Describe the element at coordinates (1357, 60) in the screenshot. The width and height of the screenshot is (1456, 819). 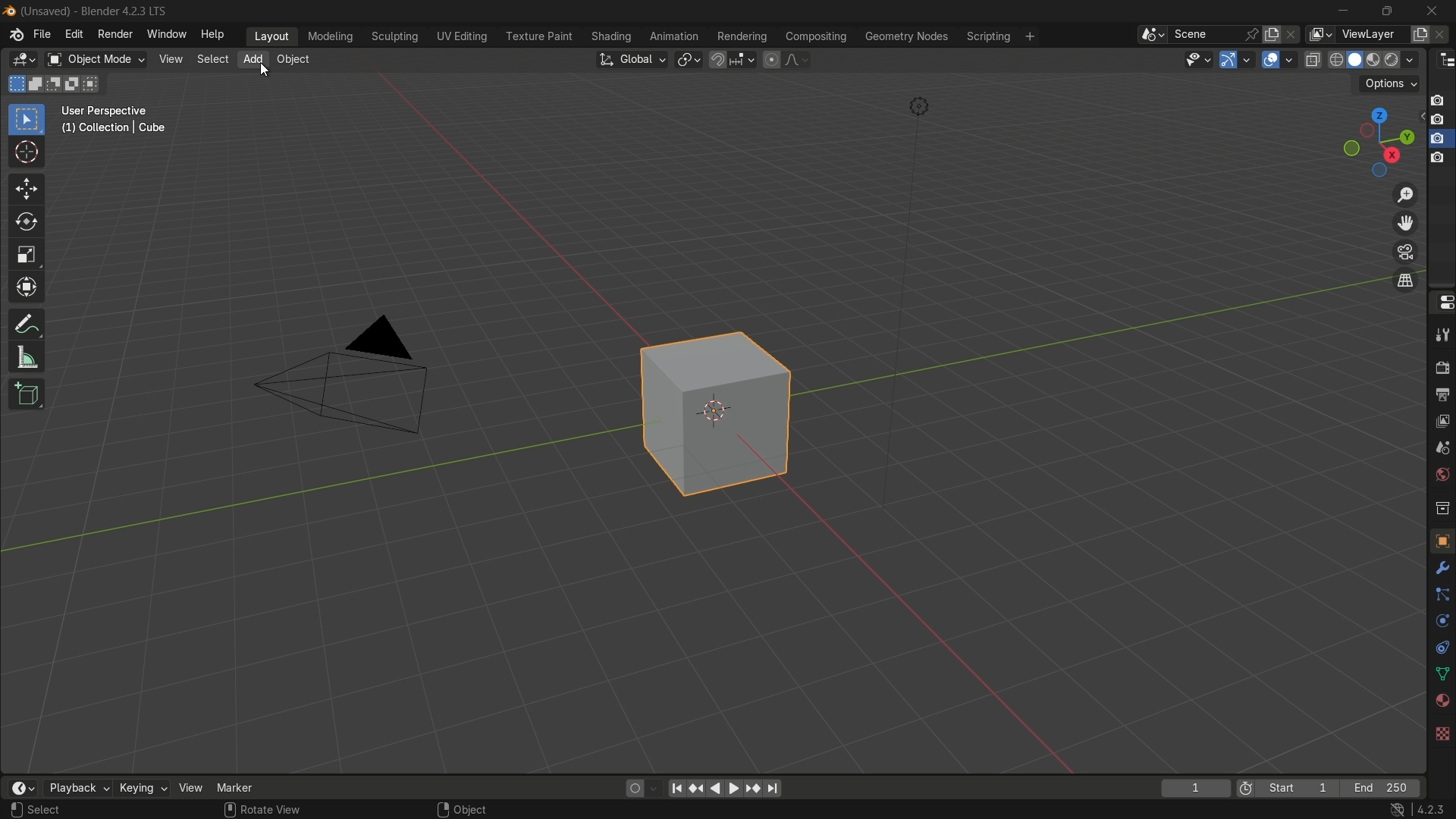
I see `solid` at that location.